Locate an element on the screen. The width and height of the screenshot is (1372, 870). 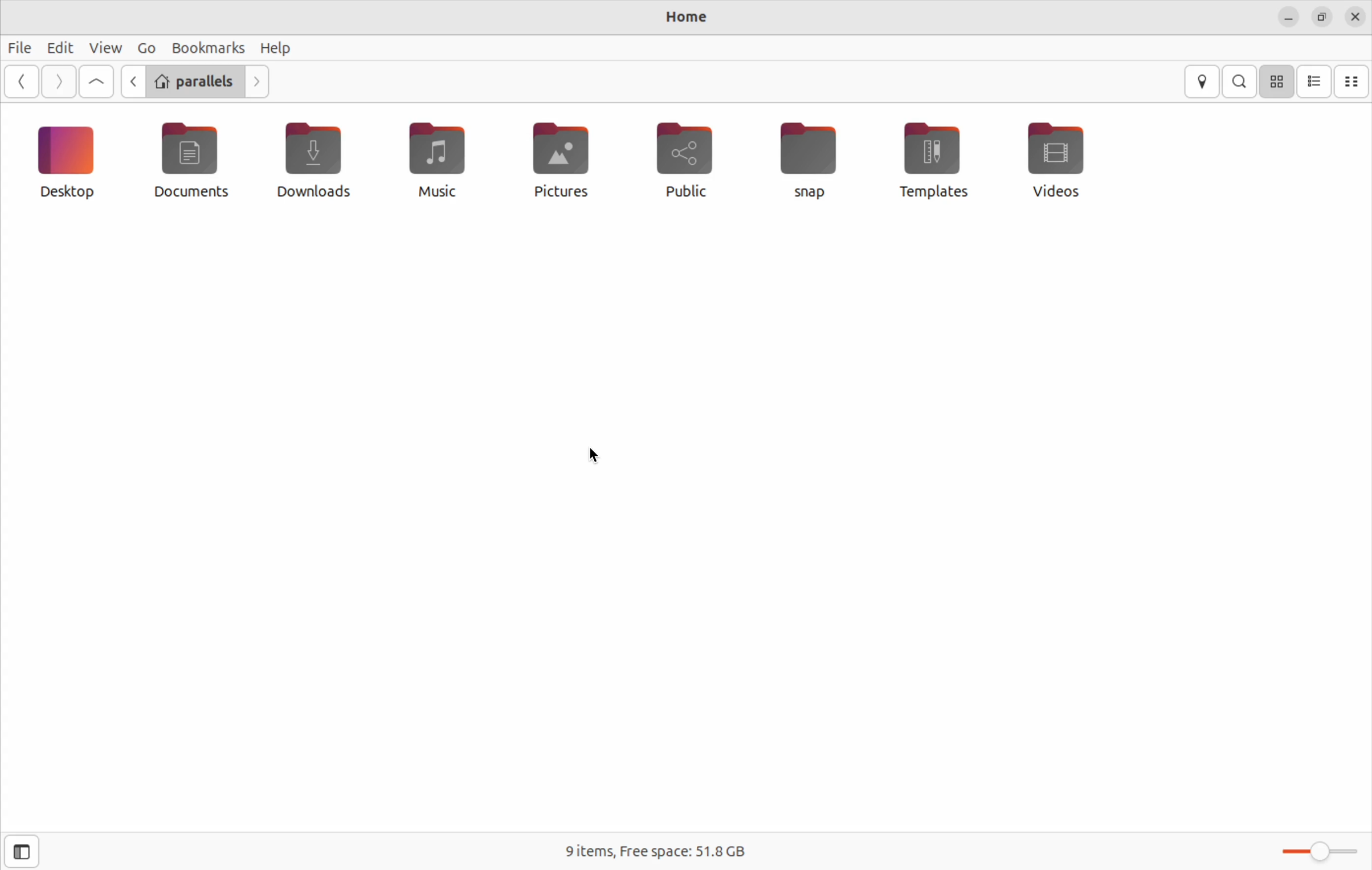
Go to first page is located at coordinates (97, 83).